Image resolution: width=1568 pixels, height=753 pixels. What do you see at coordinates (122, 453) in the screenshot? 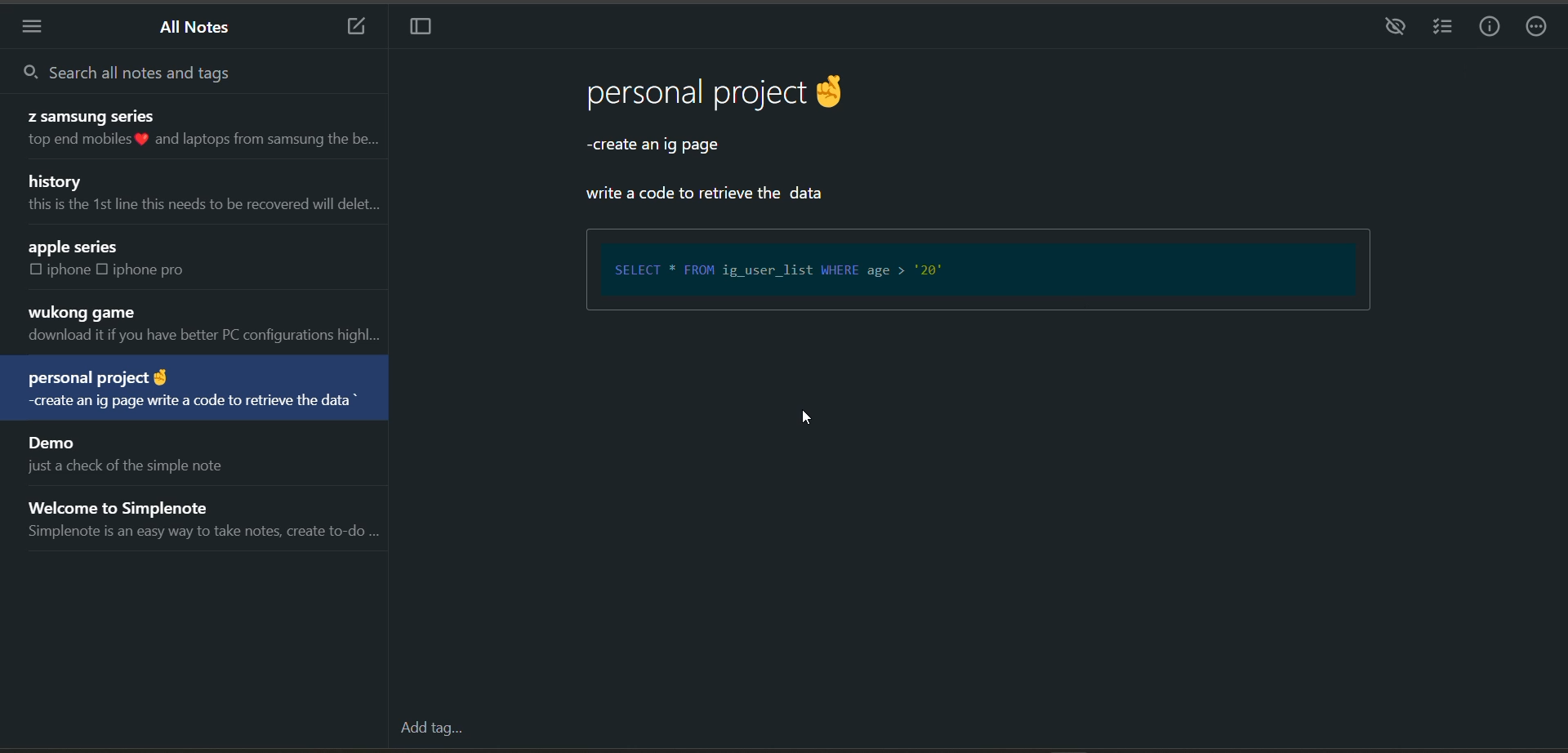
I see `note title  and preview` at bounding box center [122, 453].